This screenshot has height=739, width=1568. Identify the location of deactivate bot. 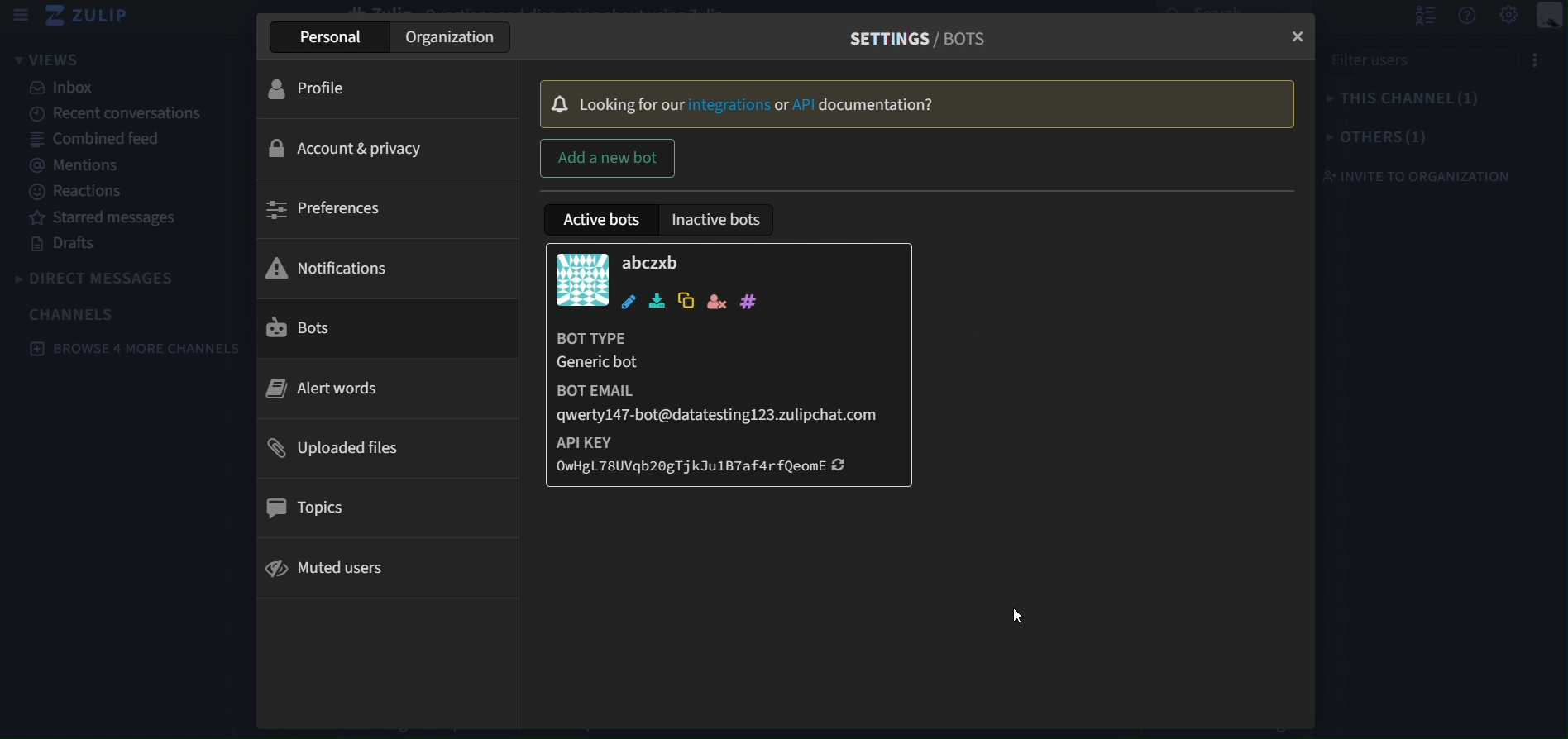
(715, 302).